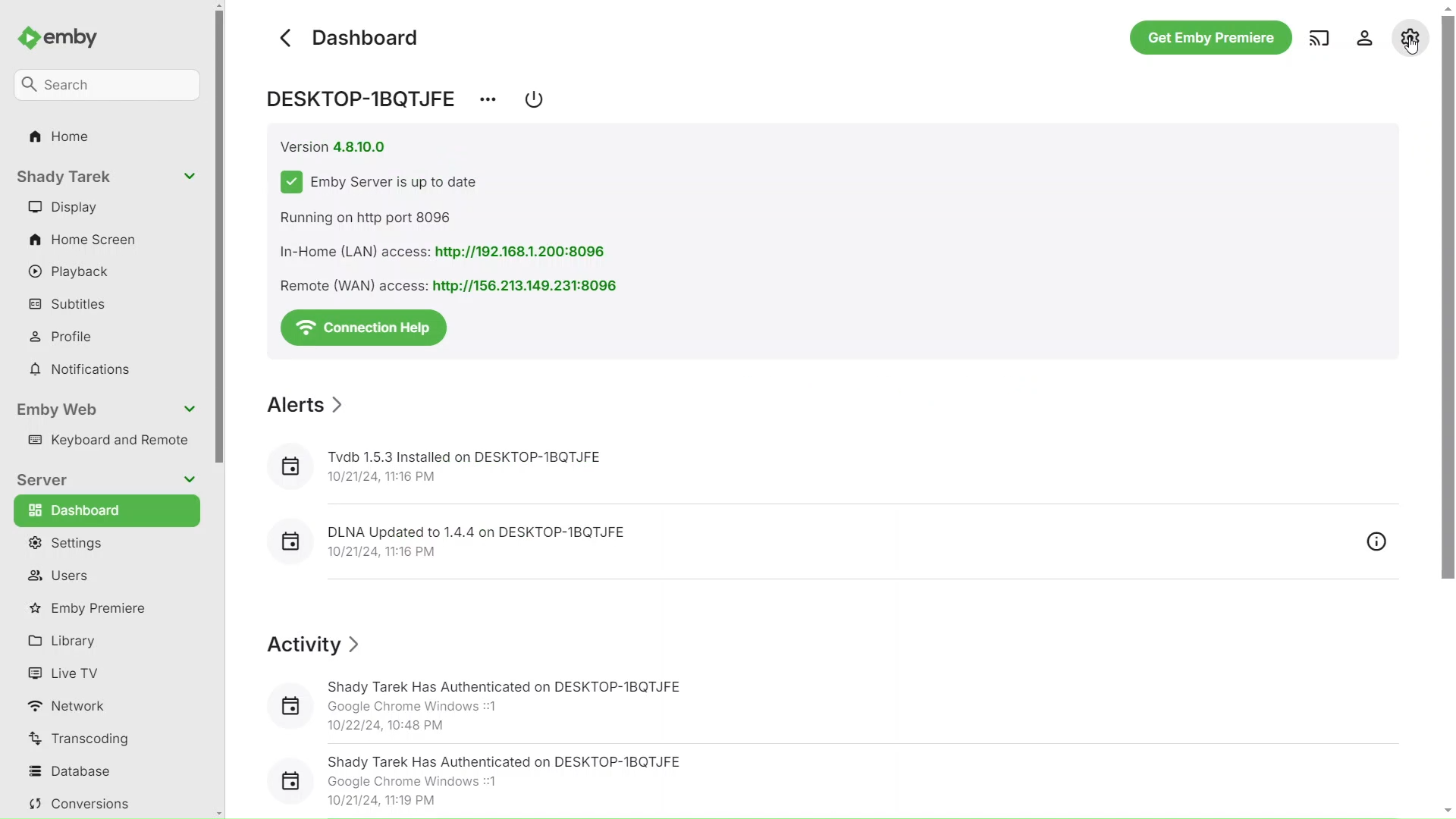  What do you see at coordinates (488, 99) in the screenshot?
I see `...` at bounding box center [488, 99].